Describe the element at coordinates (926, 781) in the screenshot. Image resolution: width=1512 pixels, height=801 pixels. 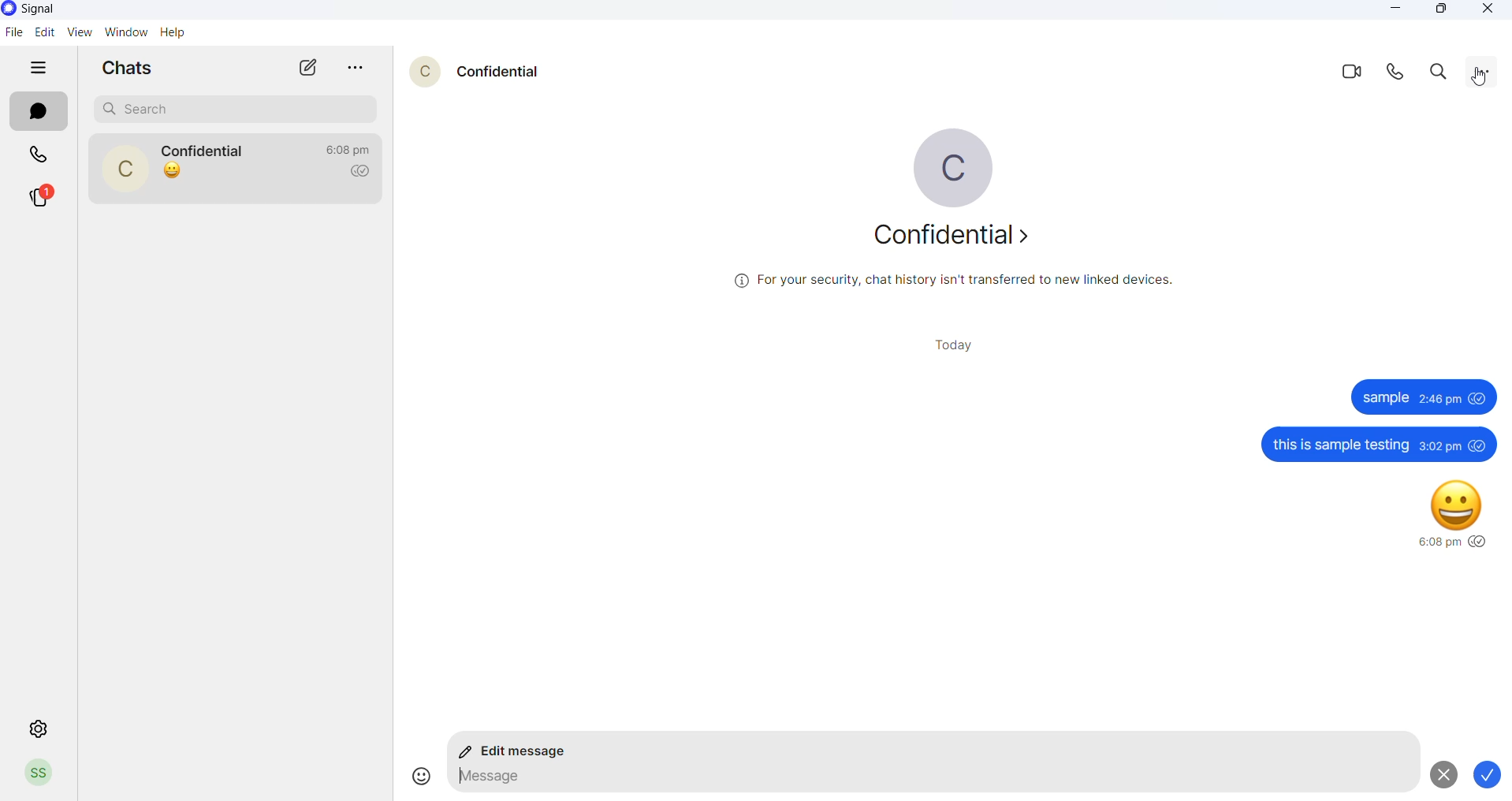
I see `message text area` at that location.